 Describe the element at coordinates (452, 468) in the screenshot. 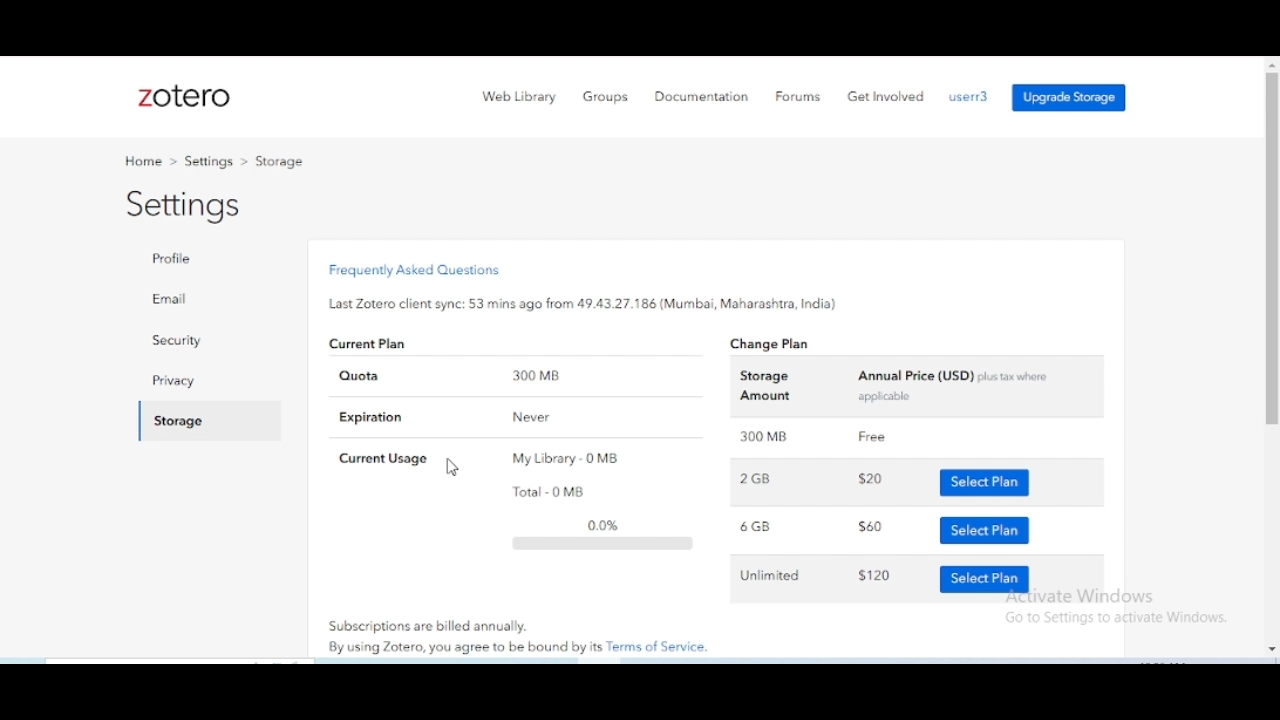

I see `cursor` at that location.